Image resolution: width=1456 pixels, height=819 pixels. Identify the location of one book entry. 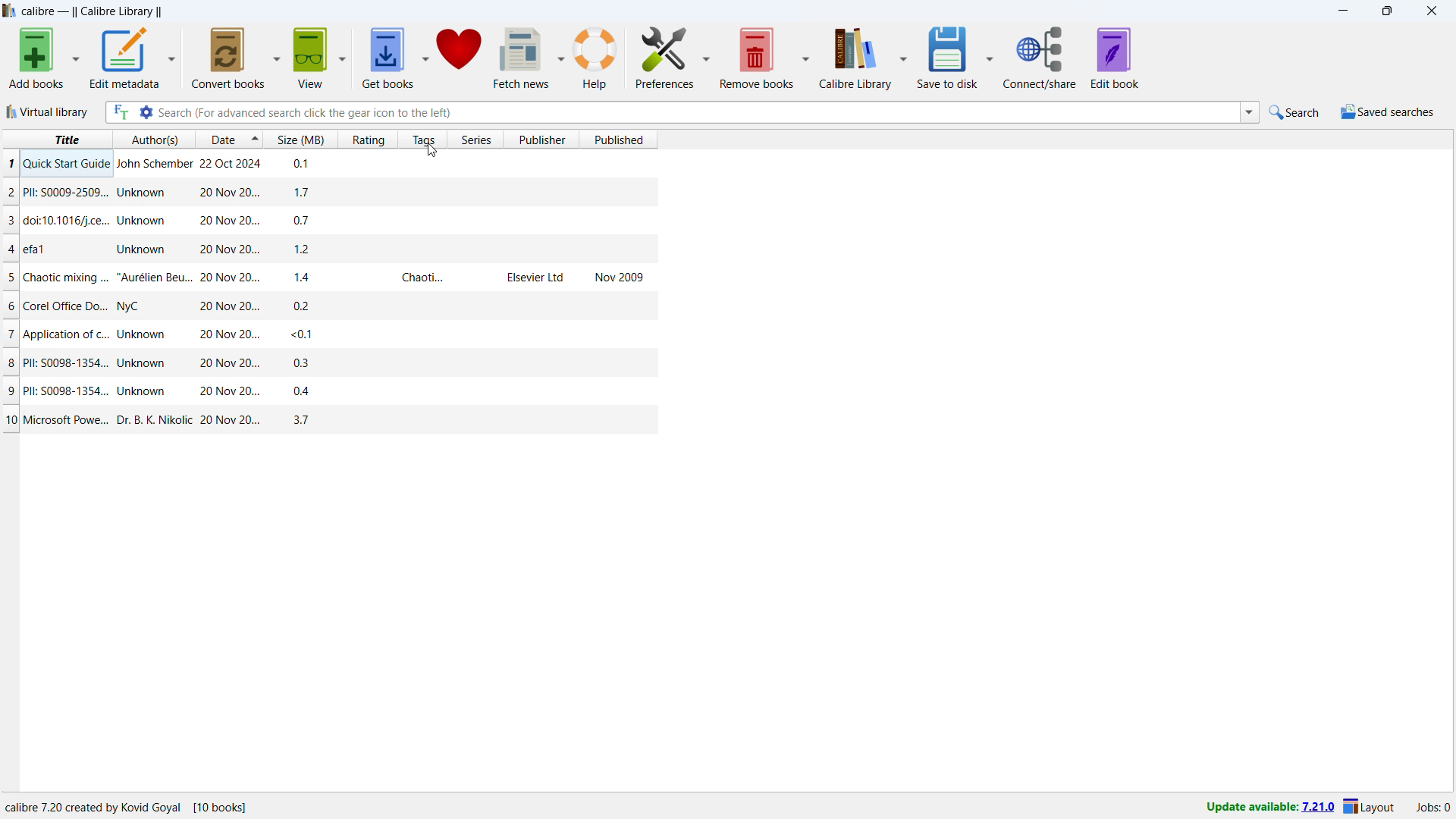
(330, 392).